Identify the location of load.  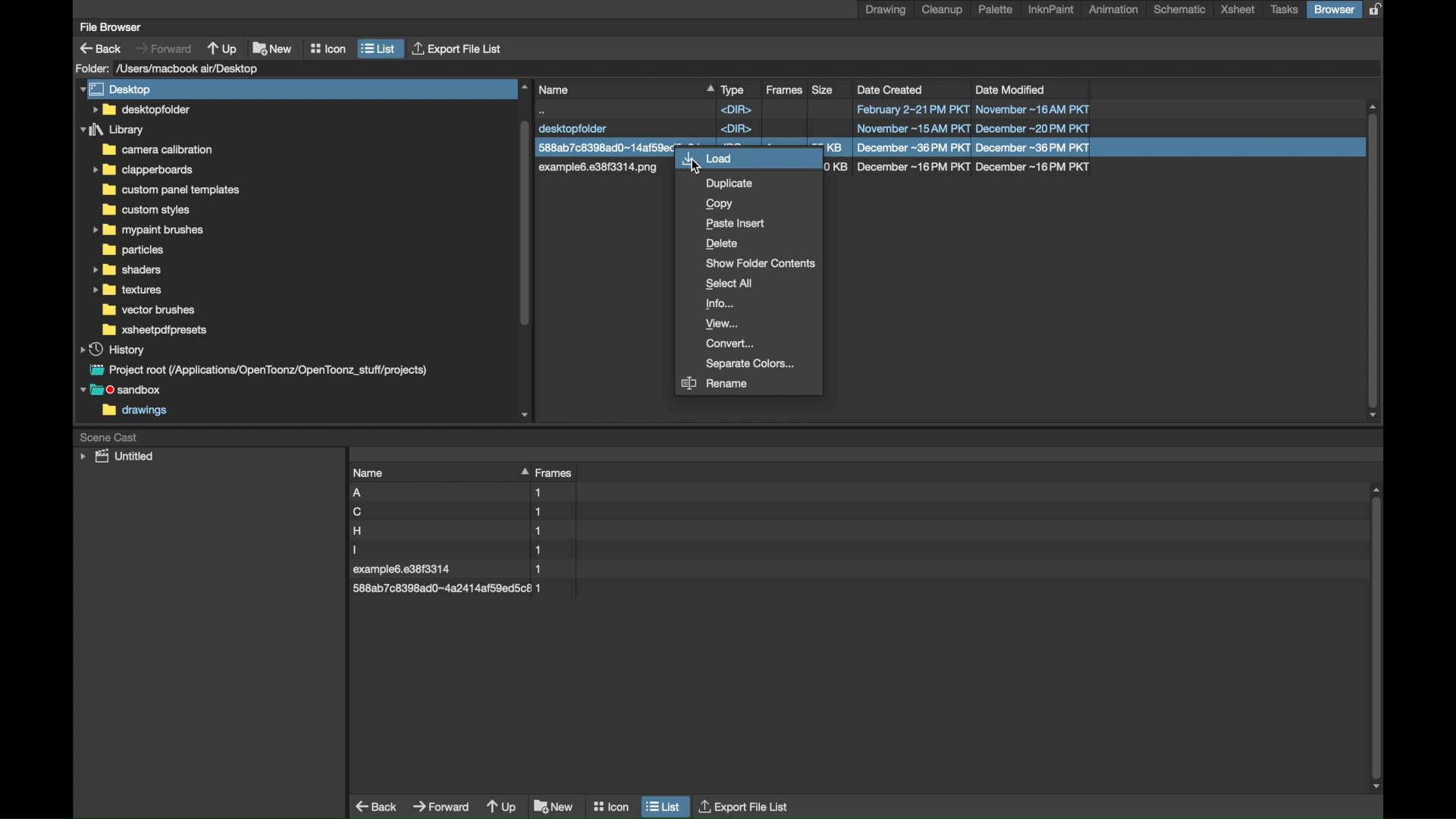
(748, 159).